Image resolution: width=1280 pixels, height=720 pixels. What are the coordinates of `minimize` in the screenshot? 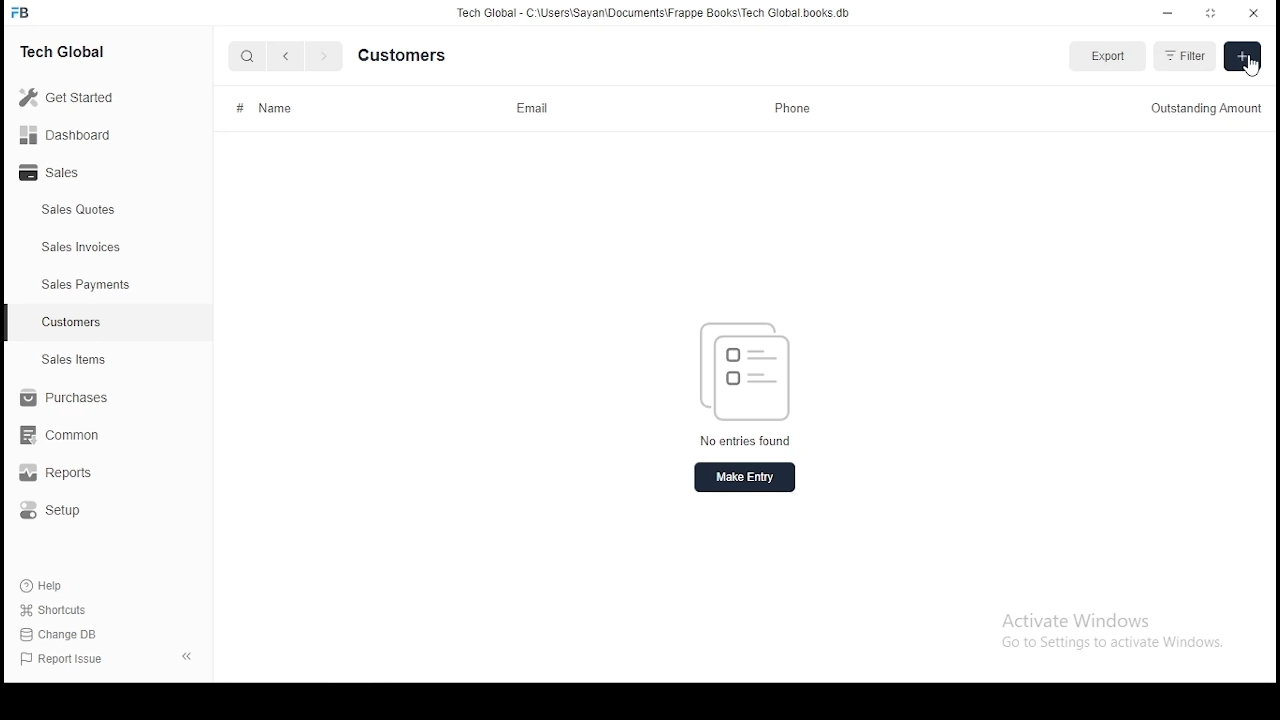 It's located at (1169, 13).